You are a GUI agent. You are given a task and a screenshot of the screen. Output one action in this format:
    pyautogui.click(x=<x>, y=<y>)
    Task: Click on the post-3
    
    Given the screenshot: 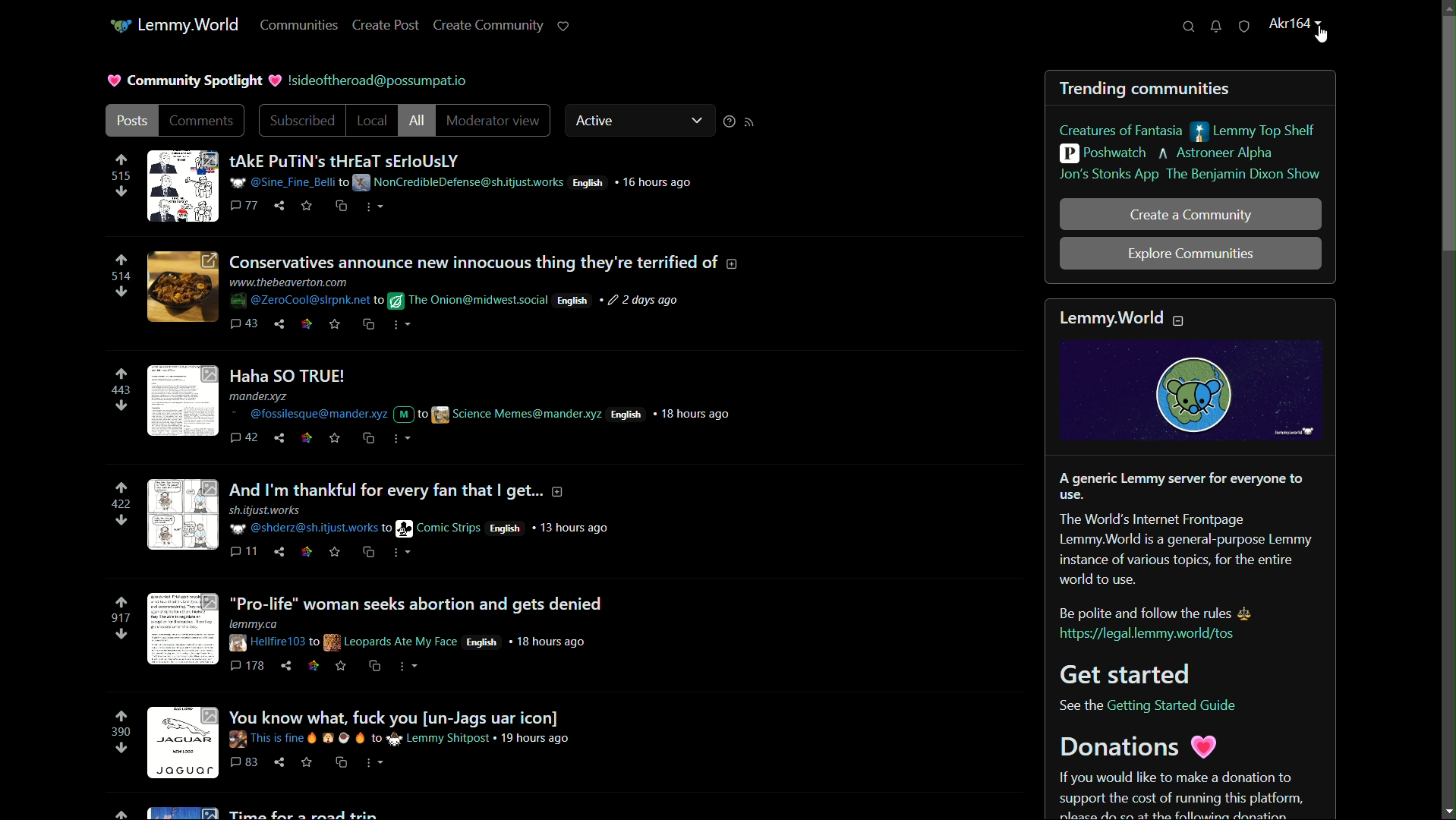 What is the action you would take?
    pyautogui.click(x=446, y=406)
    